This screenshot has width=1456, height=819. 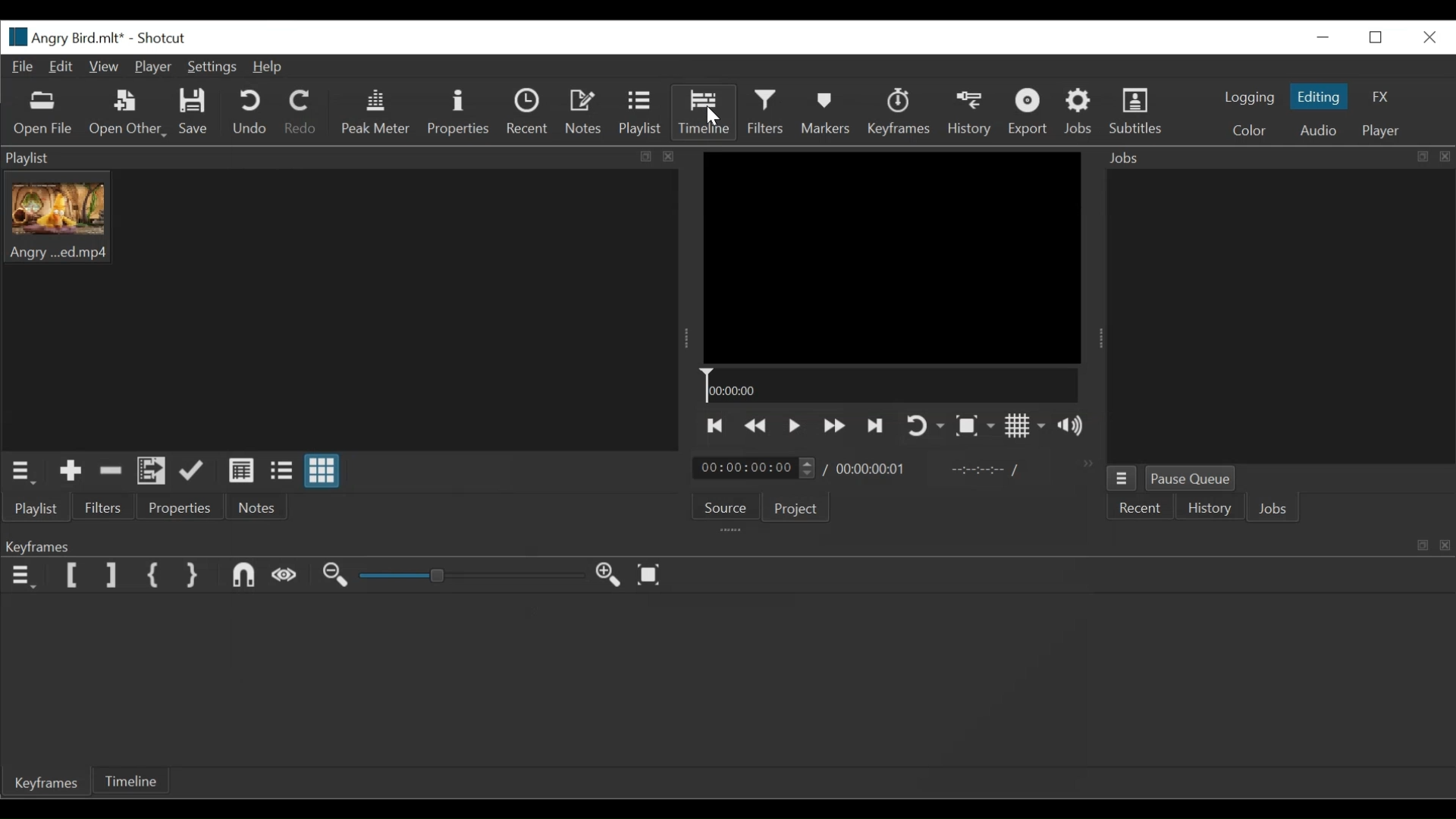 I want to click on Properties, so click(x=459, y=113).